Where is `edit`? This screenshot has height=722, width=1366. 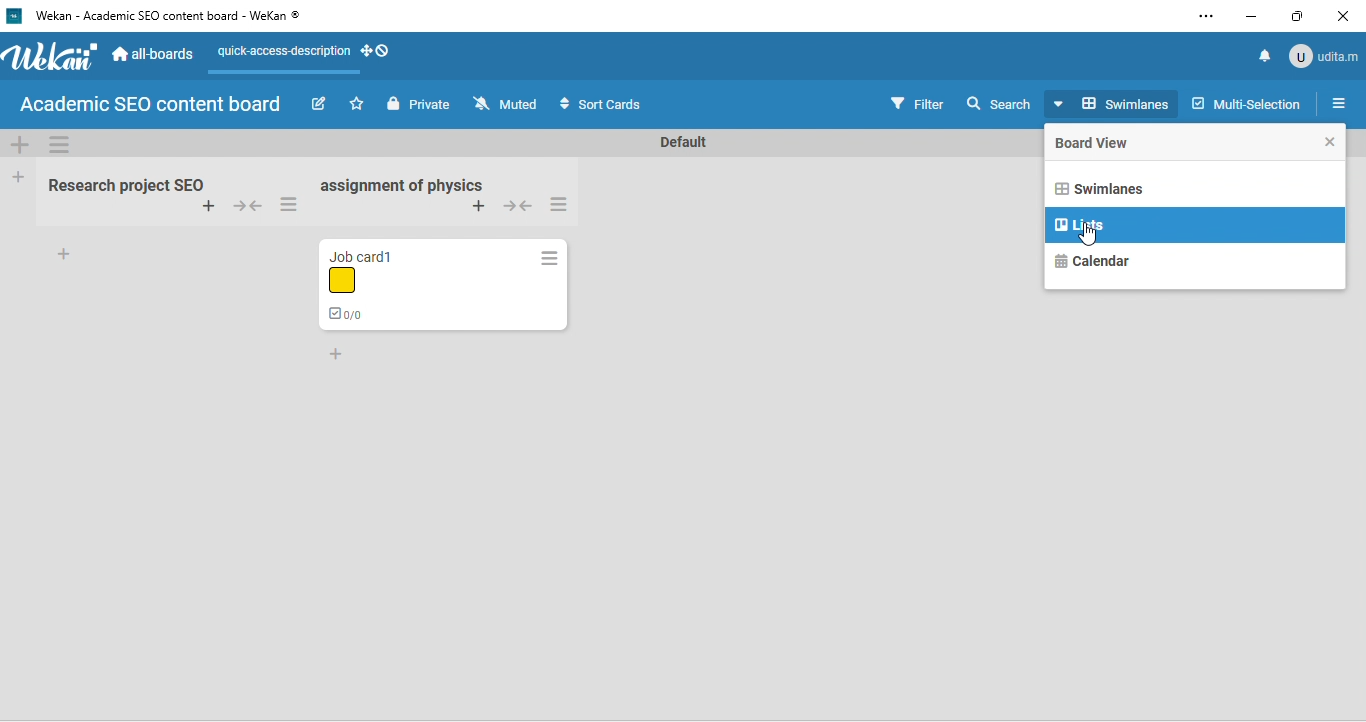 edit is located at coordinates (318, 105).